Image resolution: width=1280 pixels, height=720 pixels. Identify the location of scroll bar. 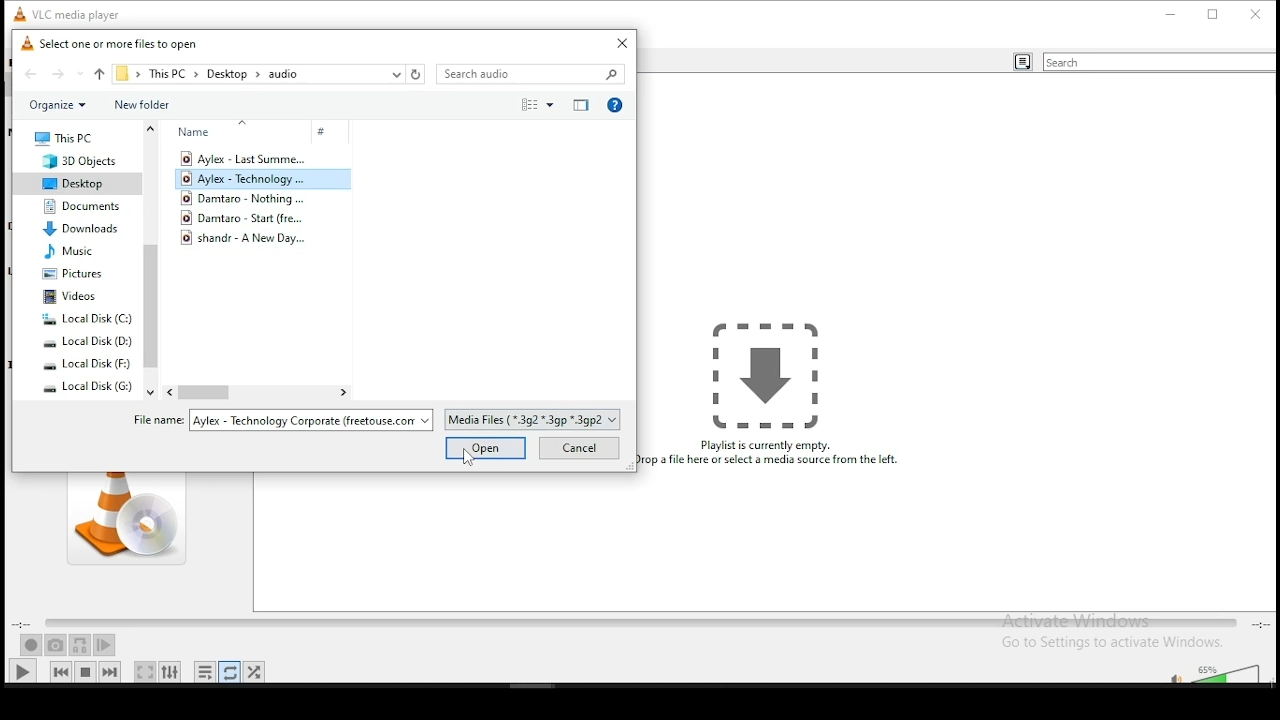
(257, 393).